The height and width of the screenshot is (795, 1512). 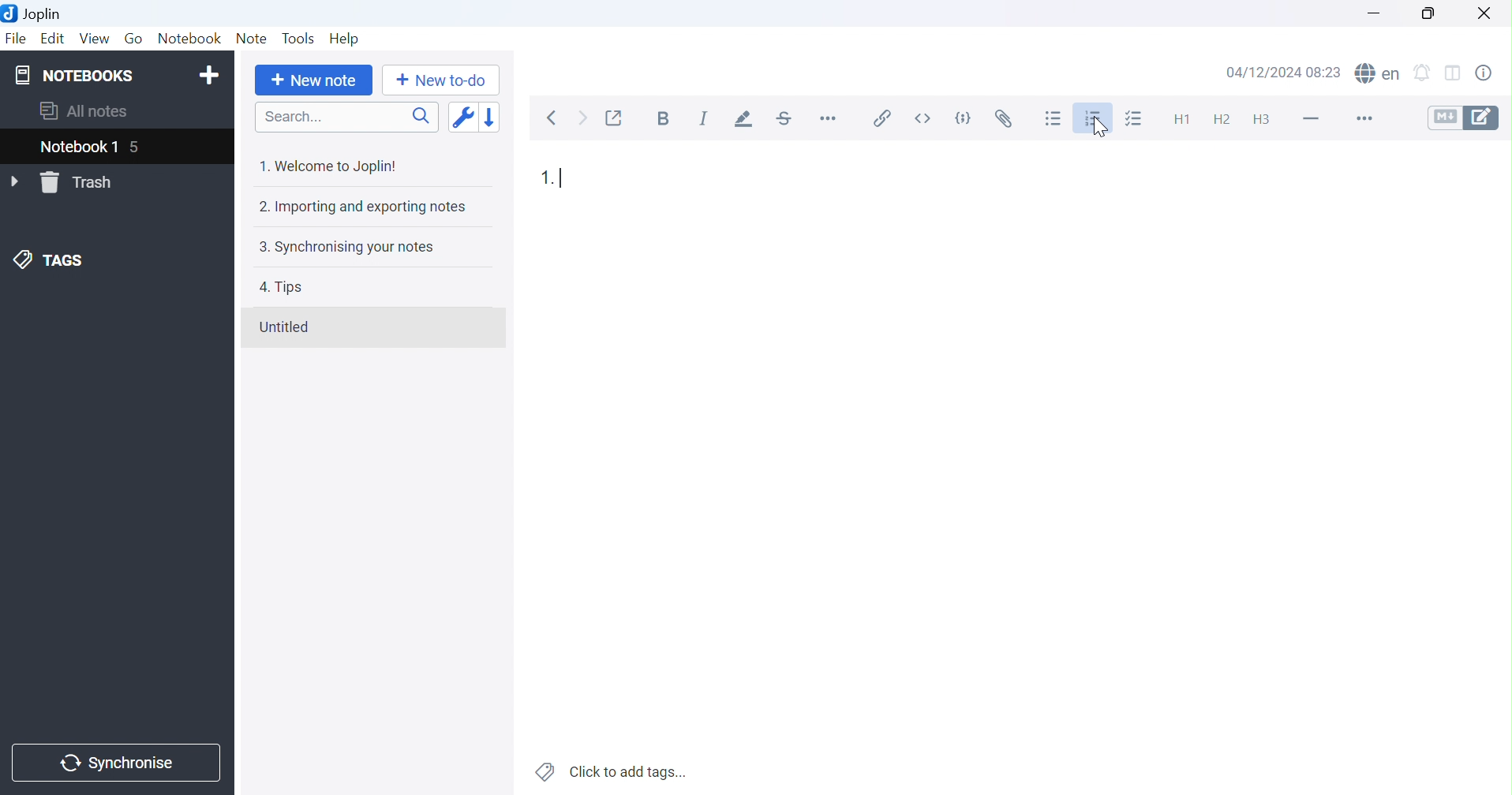 What do you see at coordinates (462, 118) in the screenshot?
I see `Toggle reverse order field` at bounding box center [462, 118].